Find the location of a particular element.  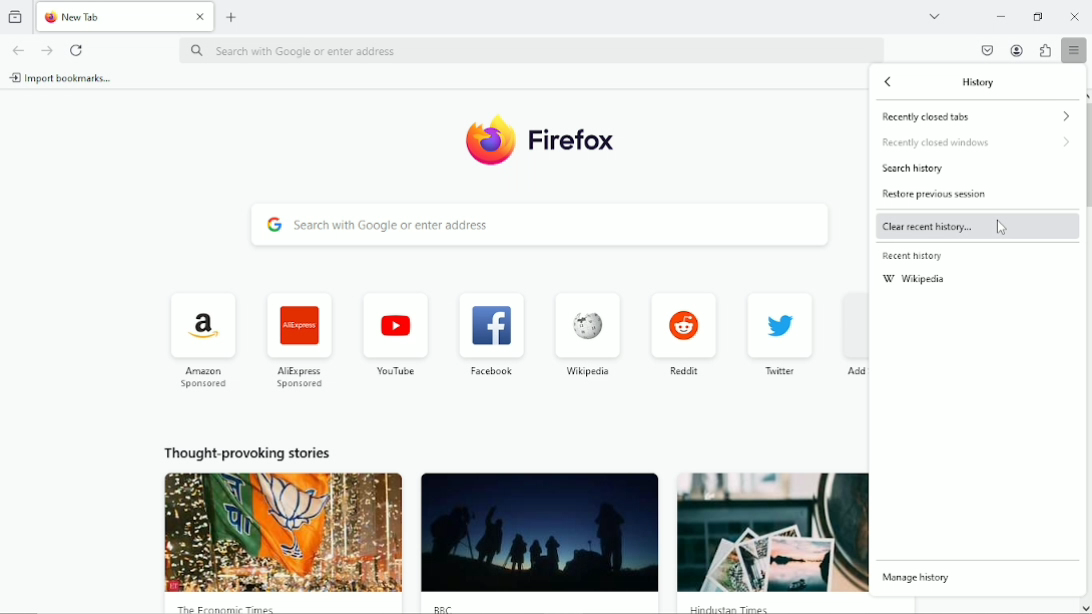

Recently closed windows is located at coordinates (975, 142).